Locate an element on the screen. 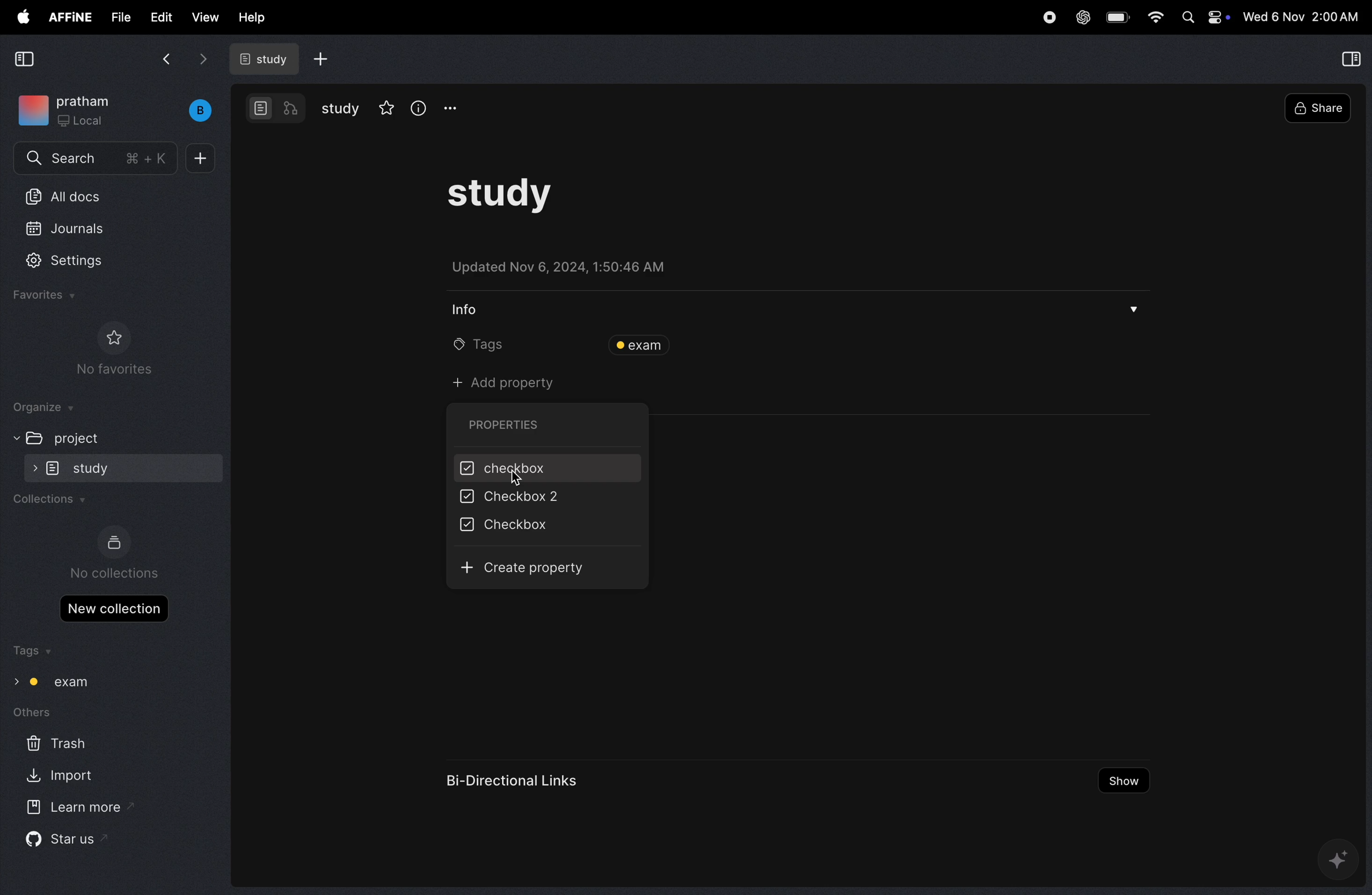 The image size is (1372, 895). project is located at coordinates (77, 436).